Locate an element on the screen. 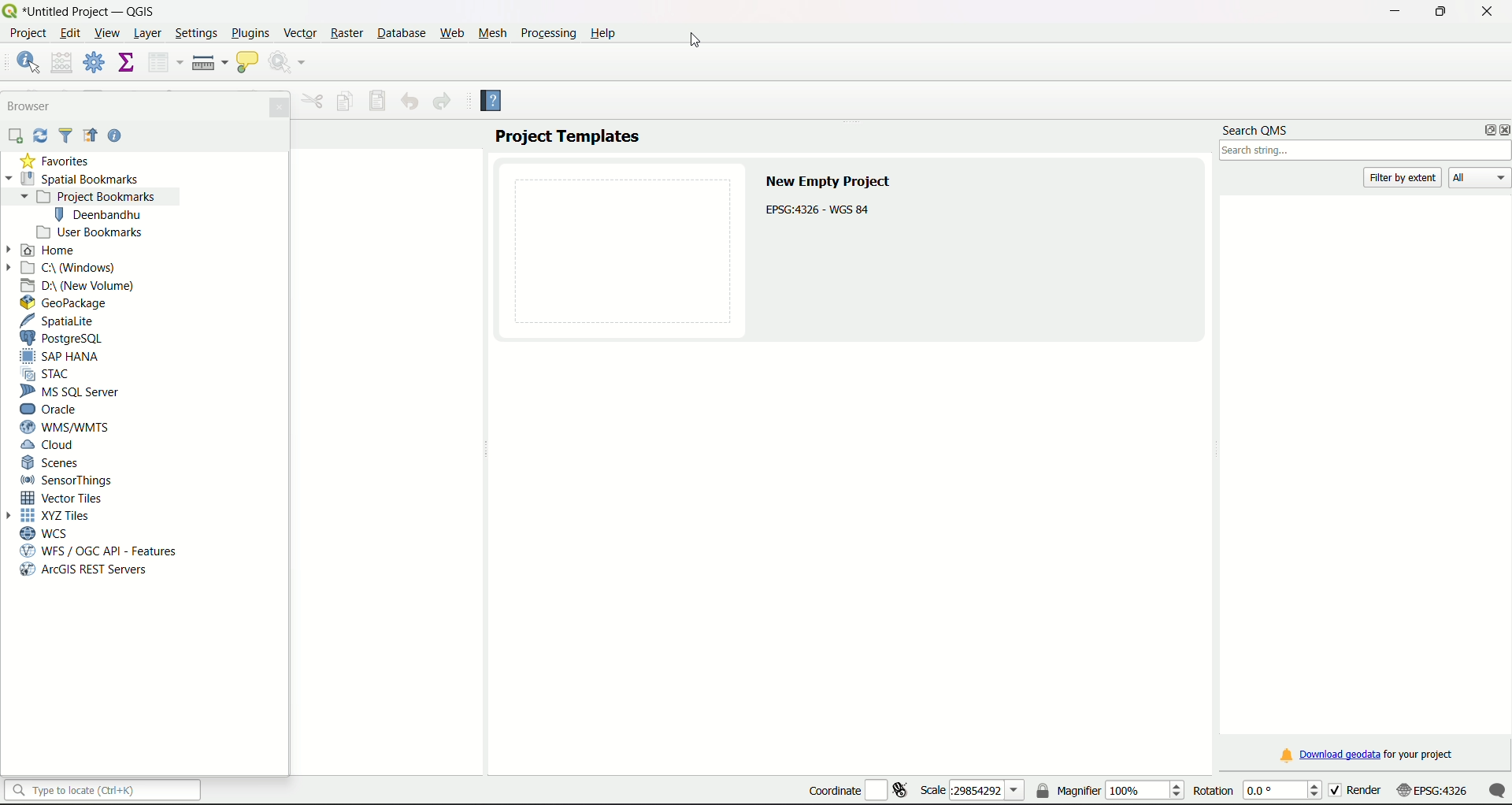 This screenshot has height=805, width=1512. arcGIS is located at coordinates (82, 568).